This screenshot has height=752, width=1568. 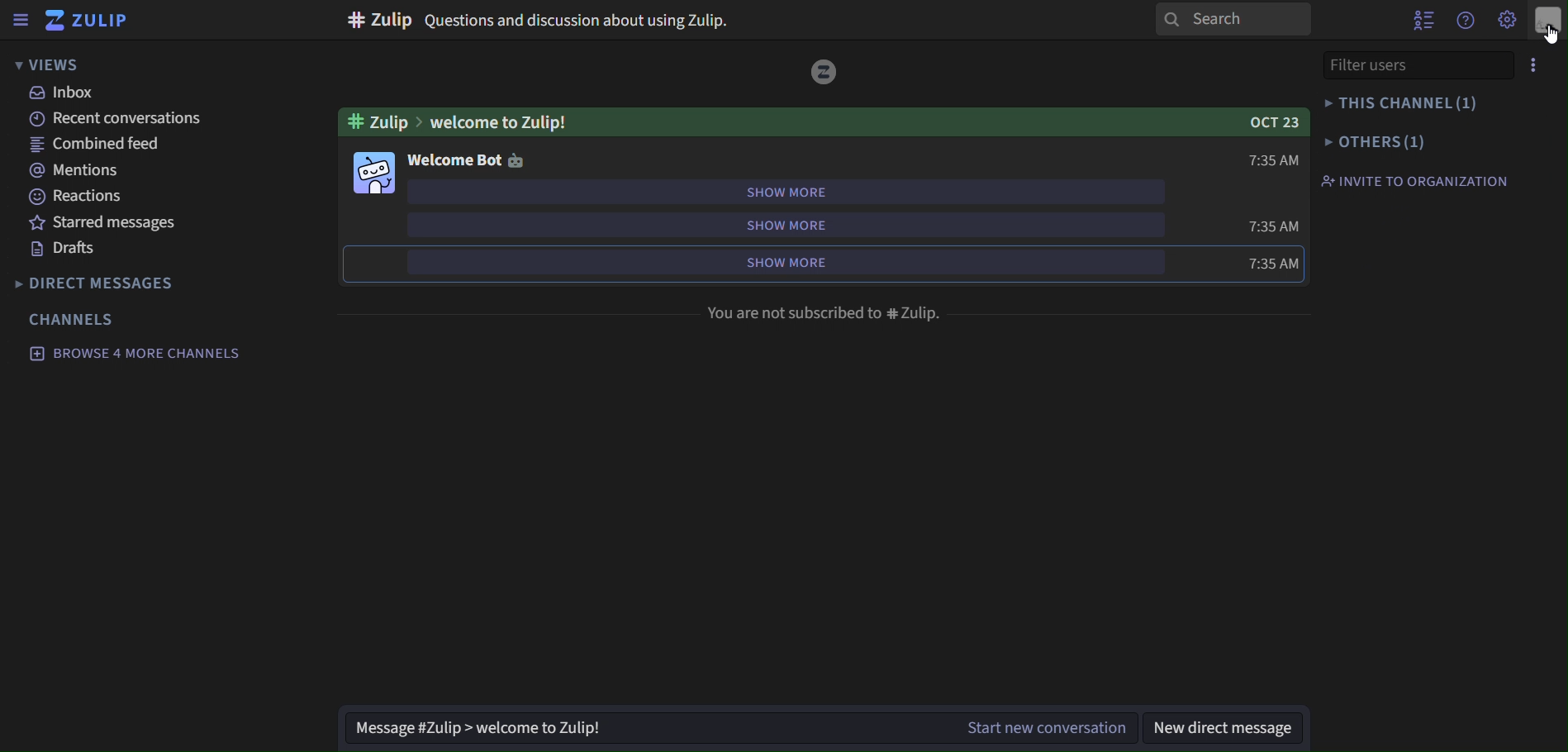 What do you see at coordinates (1421, 17) in the screenshot?
I see `hide user list` at bounding box center [1421, 17].